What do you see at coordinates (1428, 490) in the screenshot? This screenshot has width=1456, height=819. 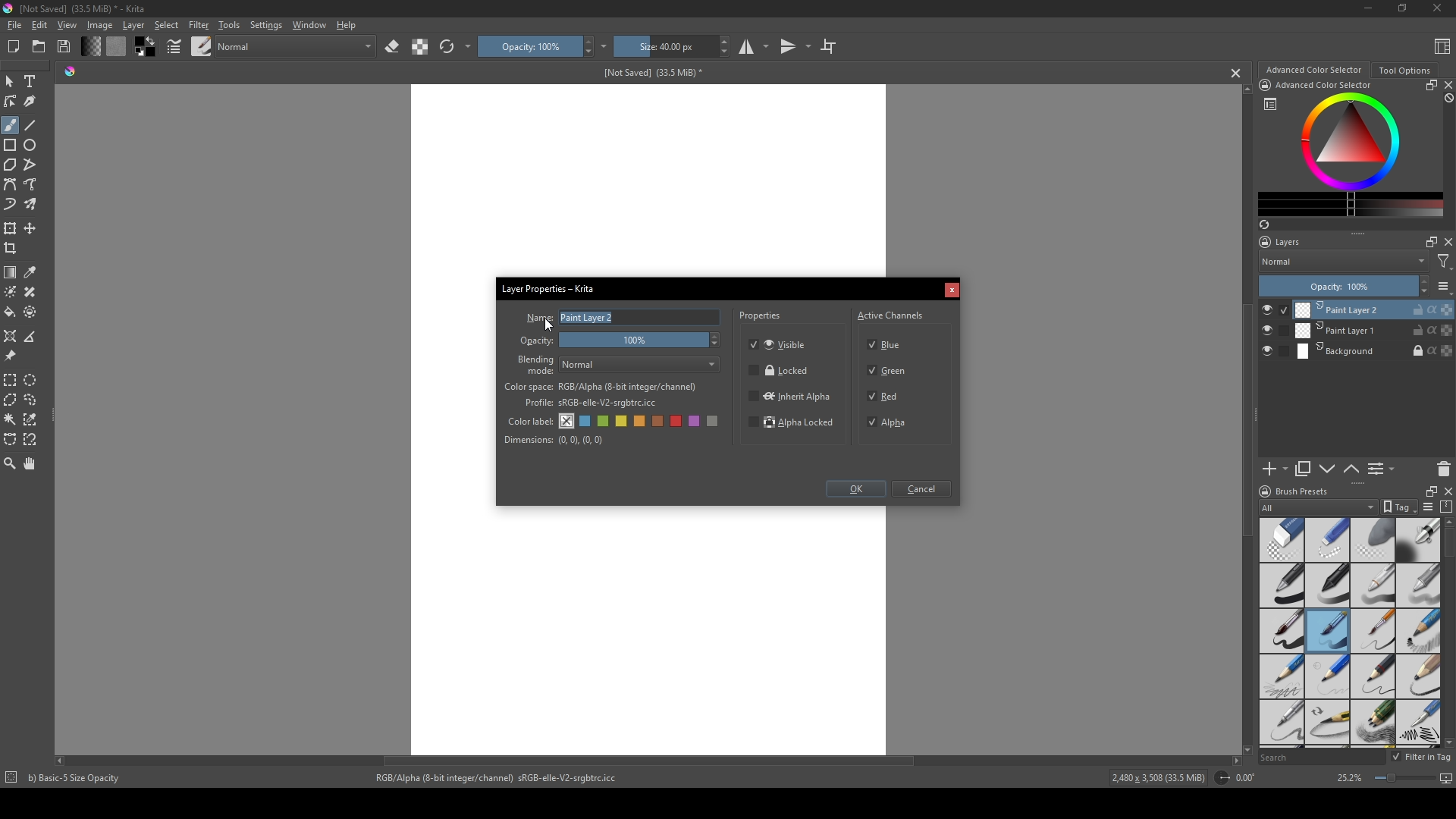 I see `resize` at bounding box center [1428, 490].